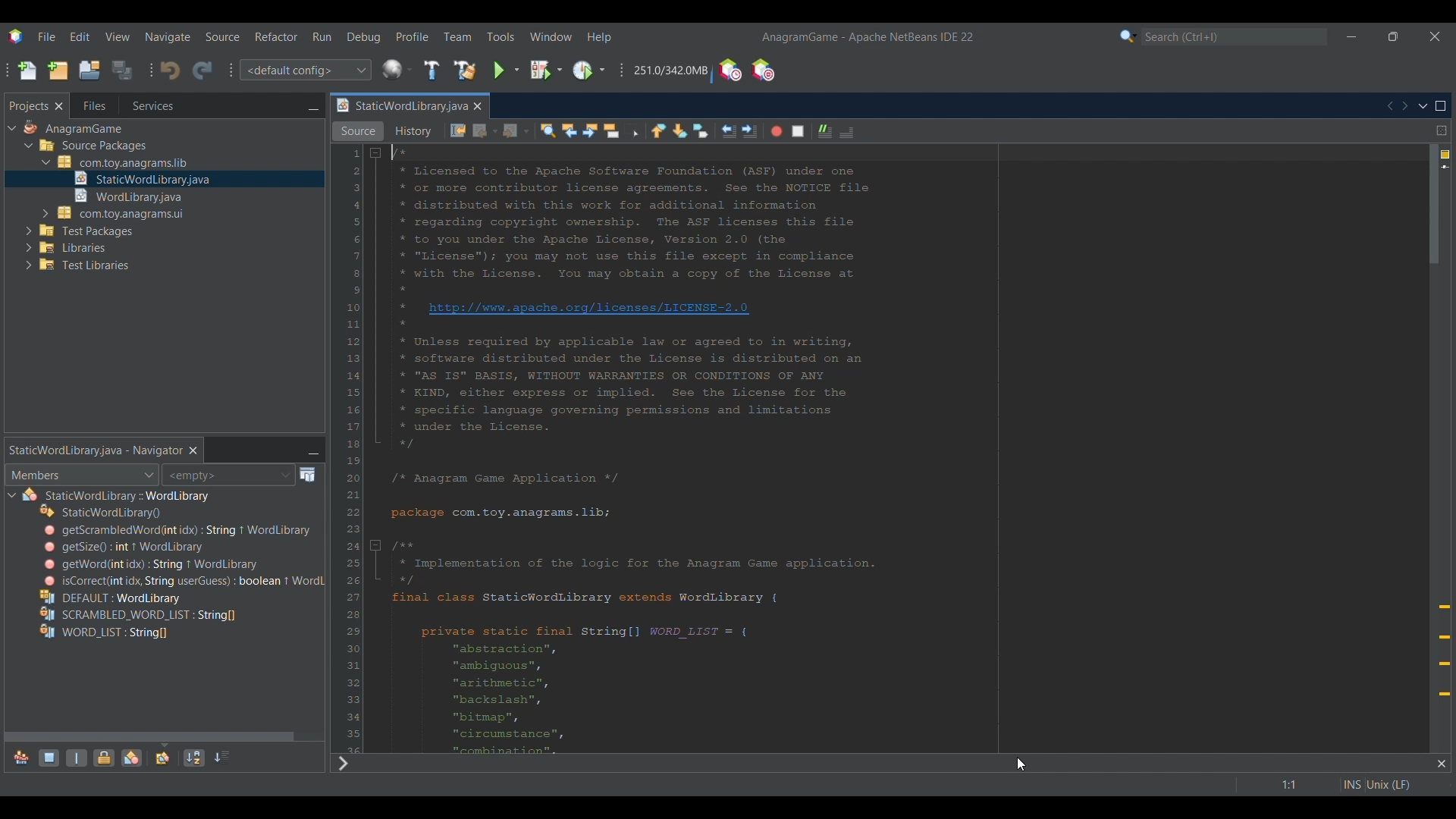 Image resolution: width=1456 pixels, height=819 pixels. I want to click on , so click(88, 229).